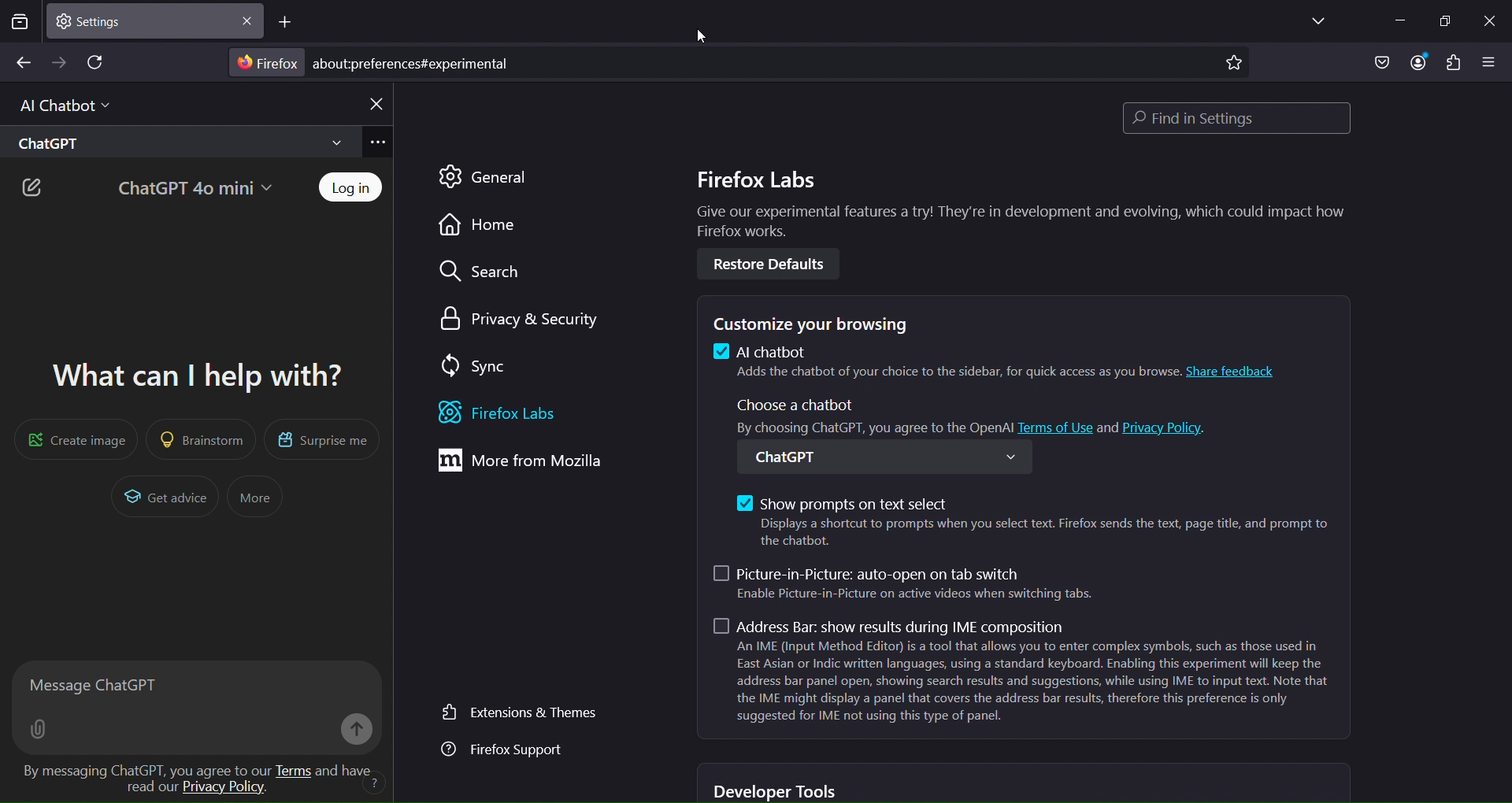  What do you see at coordinates (480, 273) in the screenshot?
I see `search` at bounding box center [480, 273].